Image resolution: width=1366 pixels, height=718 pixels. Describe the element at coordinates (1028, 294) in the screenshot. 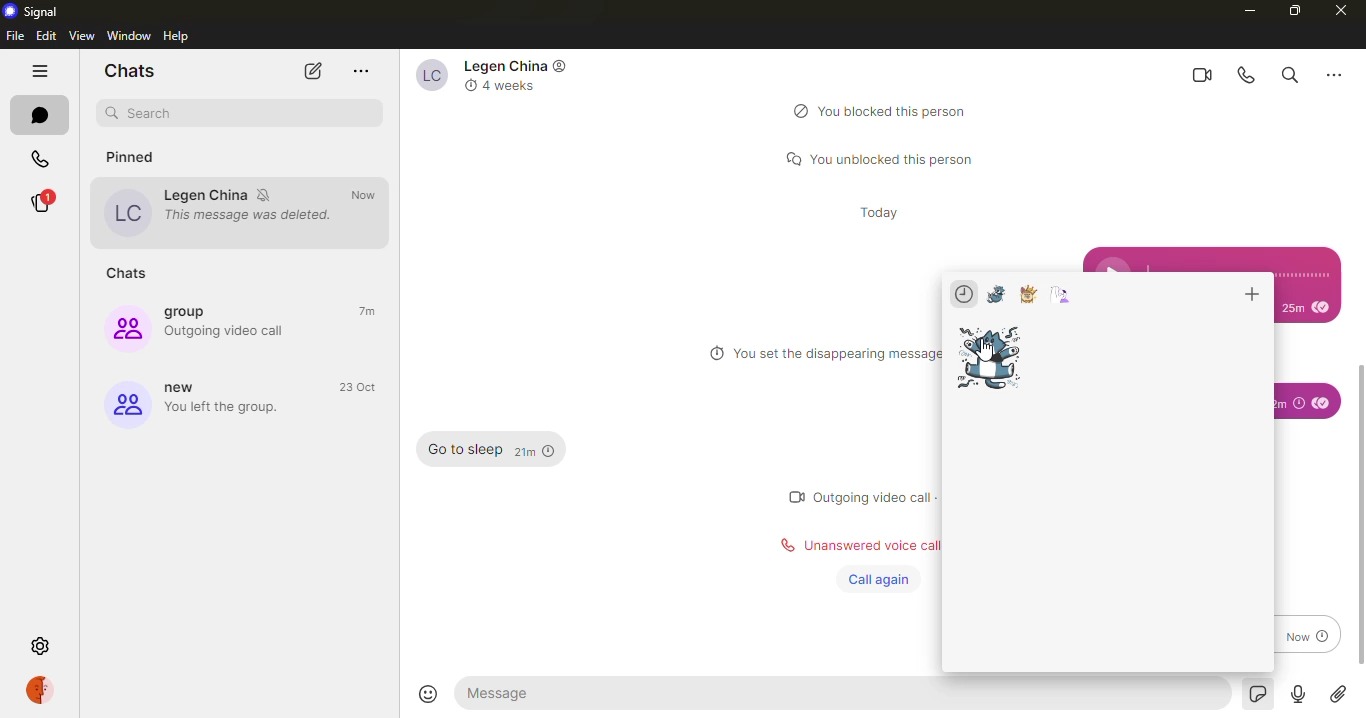

I see `sticker type` at that location.